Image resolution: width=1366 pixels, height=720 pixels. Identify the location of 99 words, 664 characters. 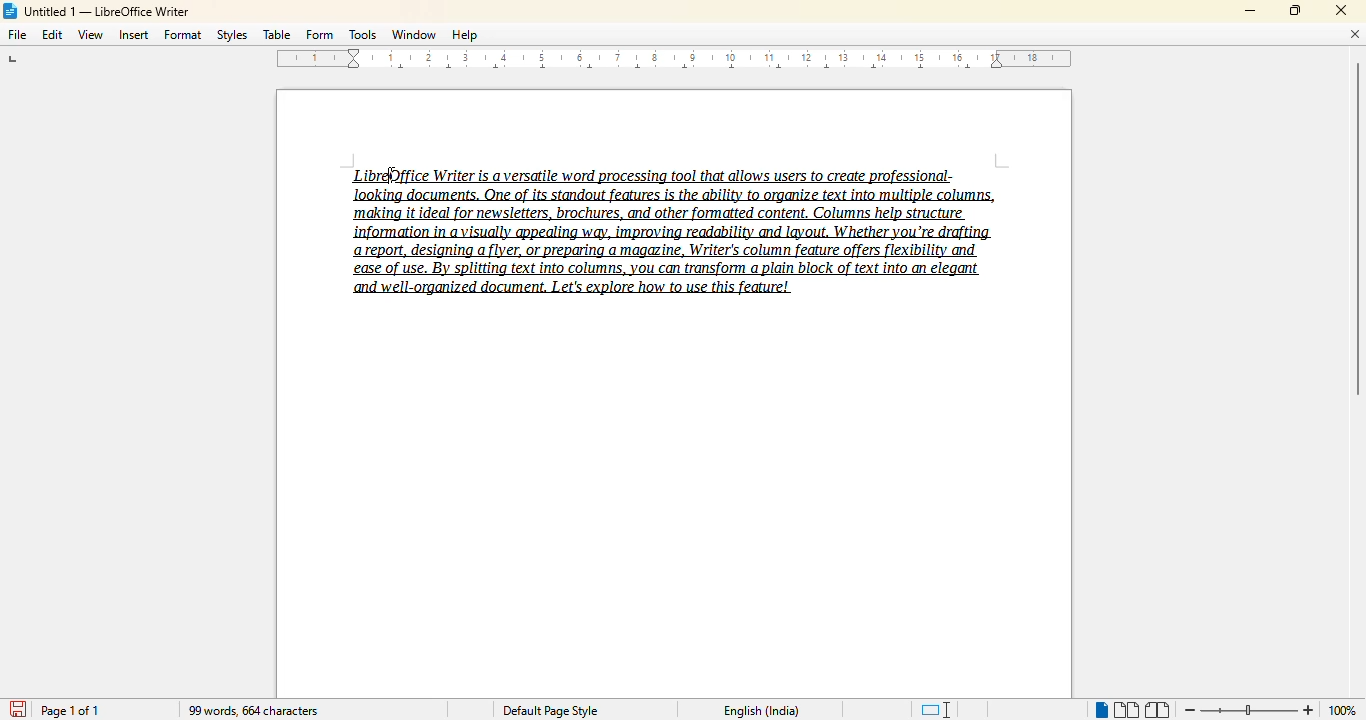
(254, 711).